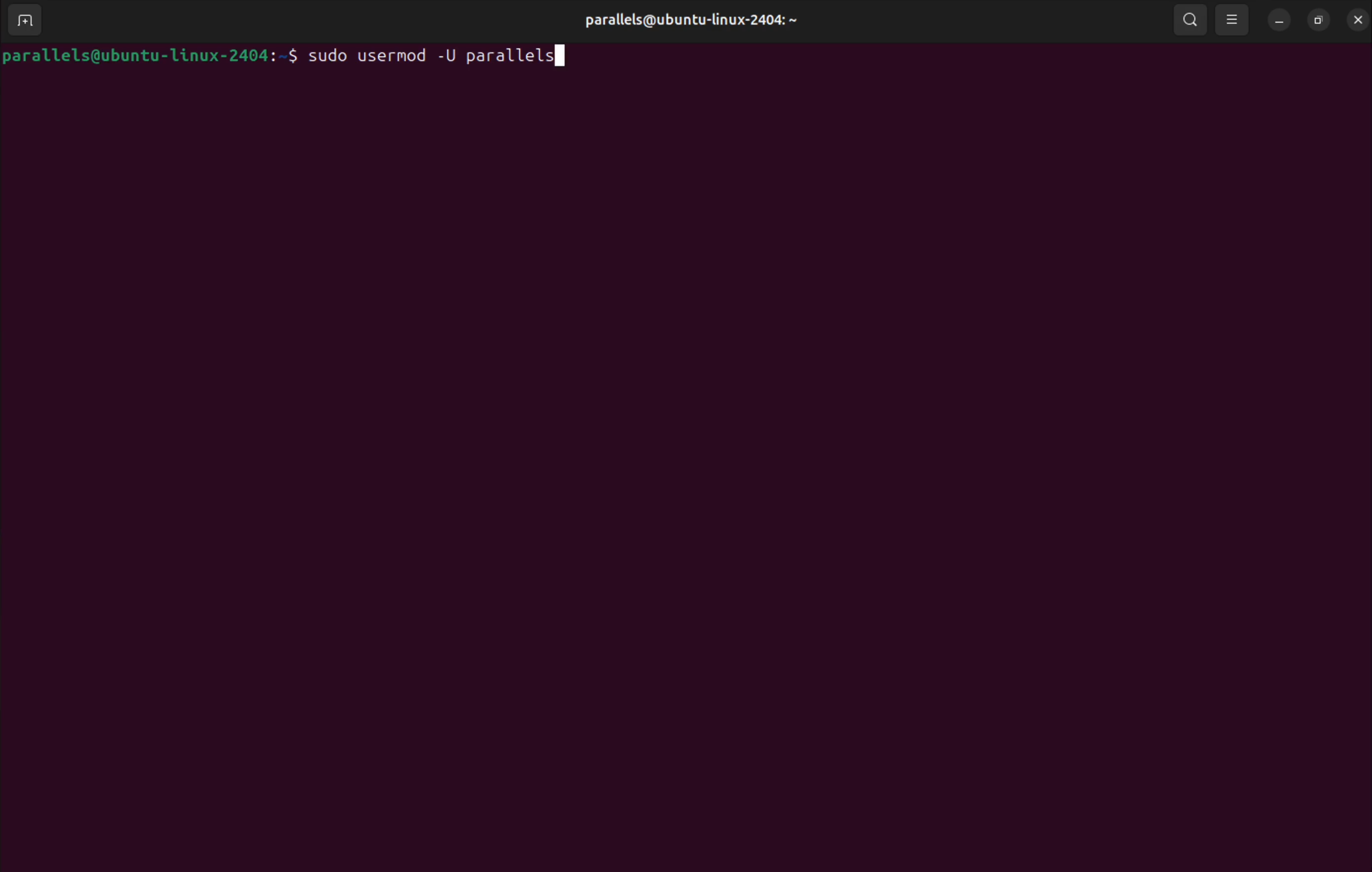  Describe the element at coordinates (153, 57) in the screenshot. I see `bash prompt` at that location.